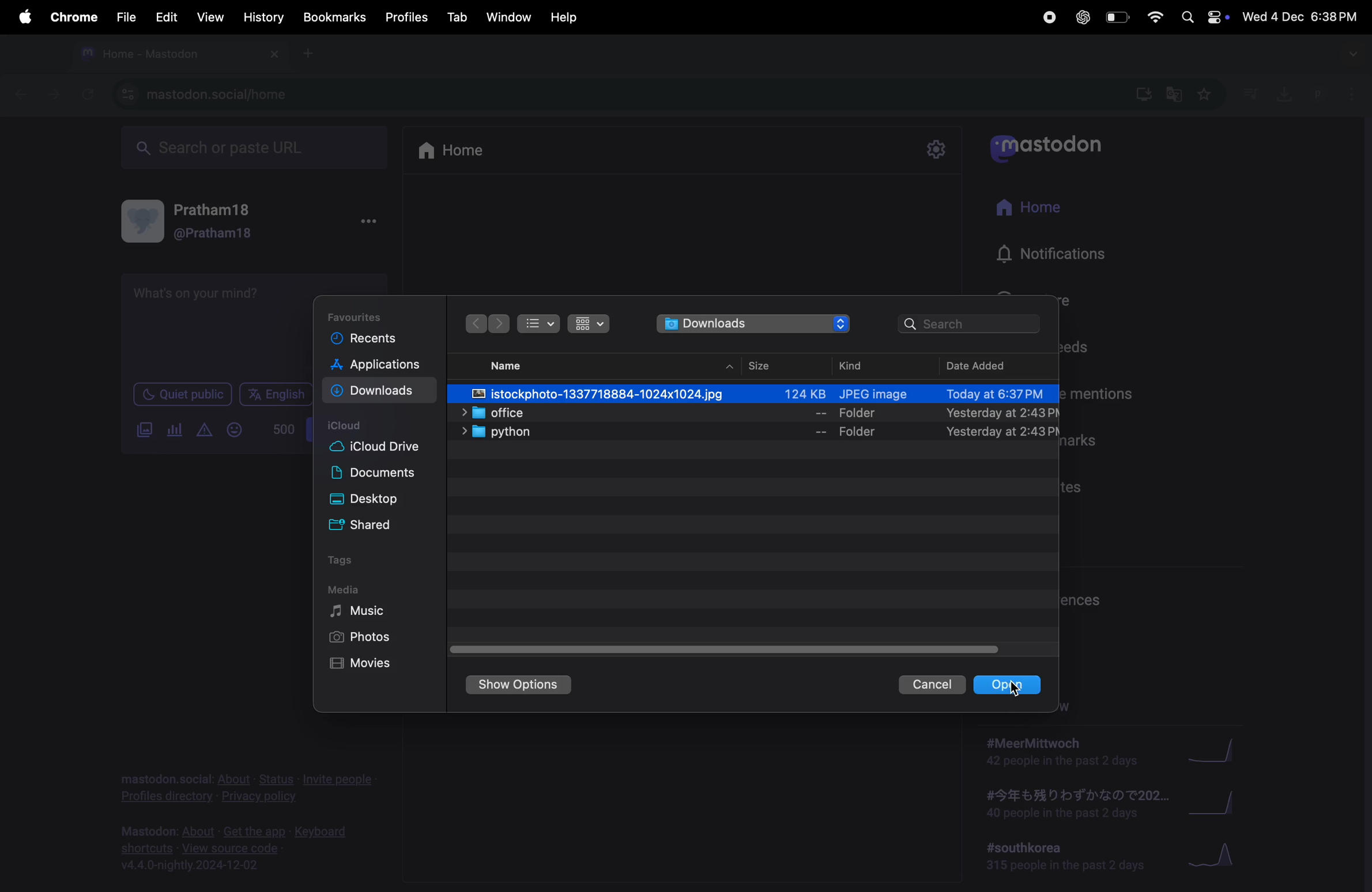  What do you see at coordinates (754, 392) in the screenshot?
I see `photo` at bounding box center [754, 392].